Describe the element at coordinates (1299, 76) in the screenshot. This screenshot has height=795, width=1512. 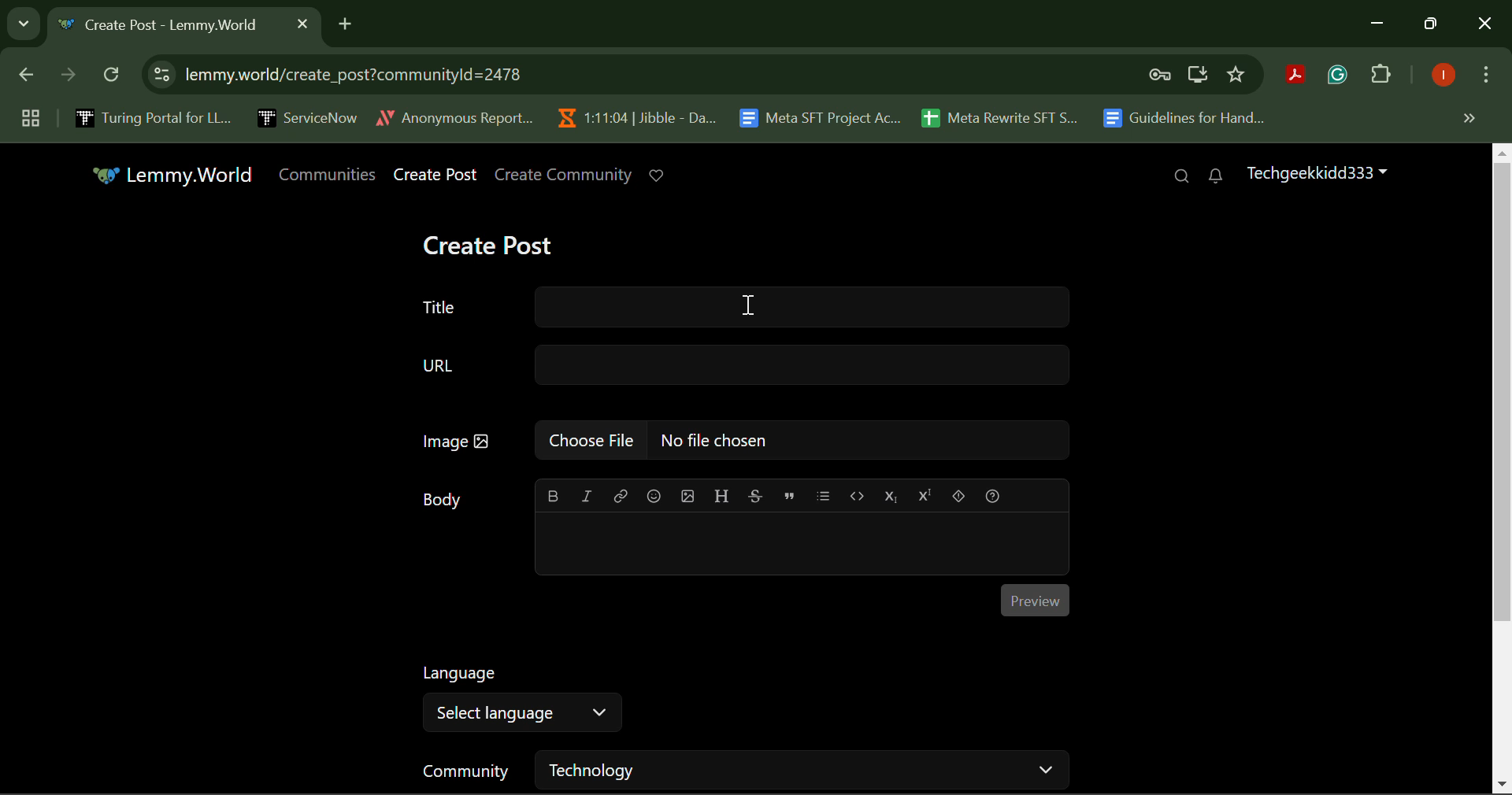
I see `Browser Extension` at that location.